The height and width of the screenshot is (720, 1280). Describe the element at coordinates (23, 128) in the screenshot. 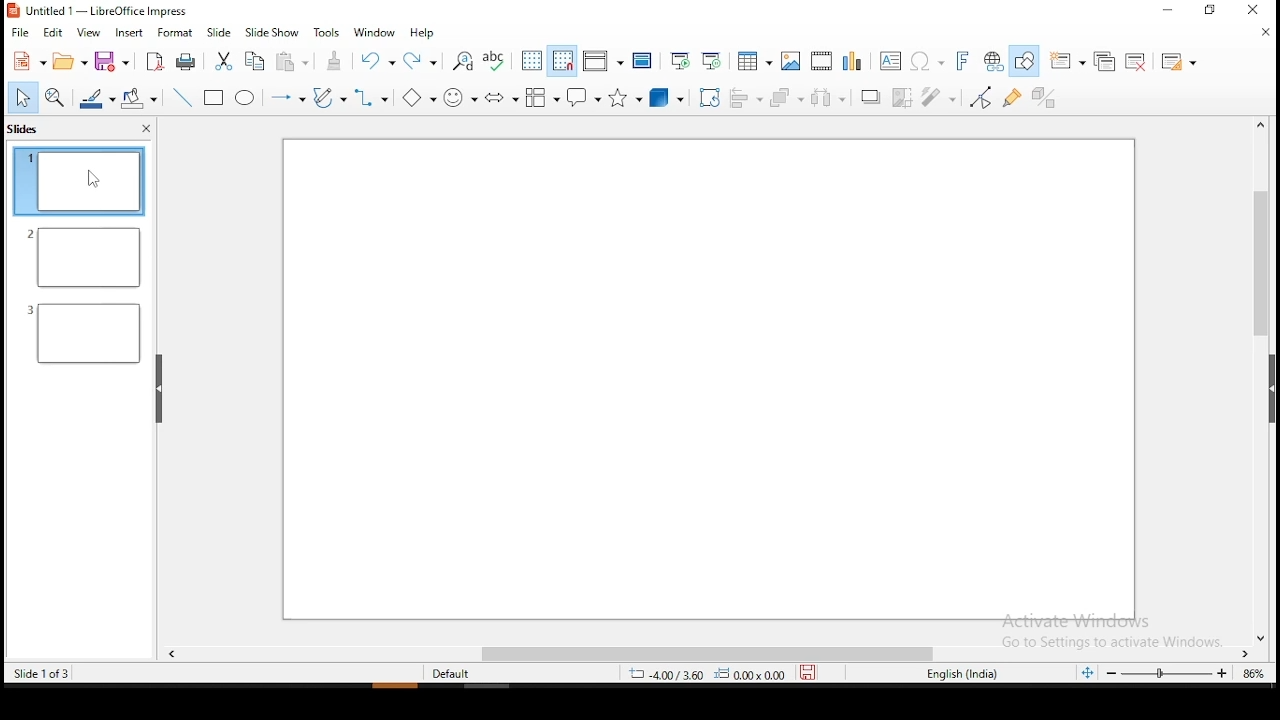

I see `slides` at that location.